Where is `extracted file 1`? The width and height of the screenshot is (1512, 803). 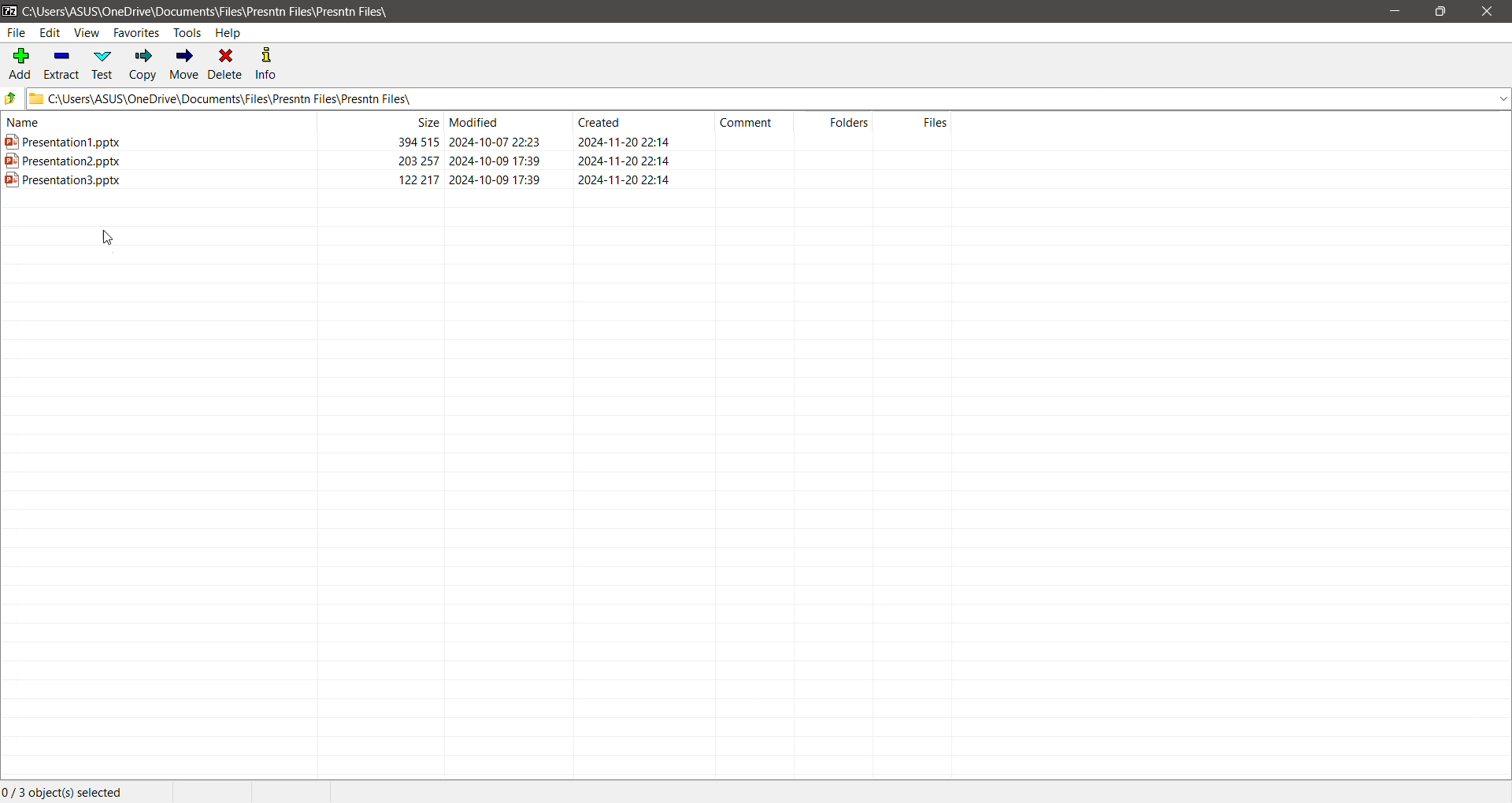 extracted file 1 is located at coordinates (64, 141).